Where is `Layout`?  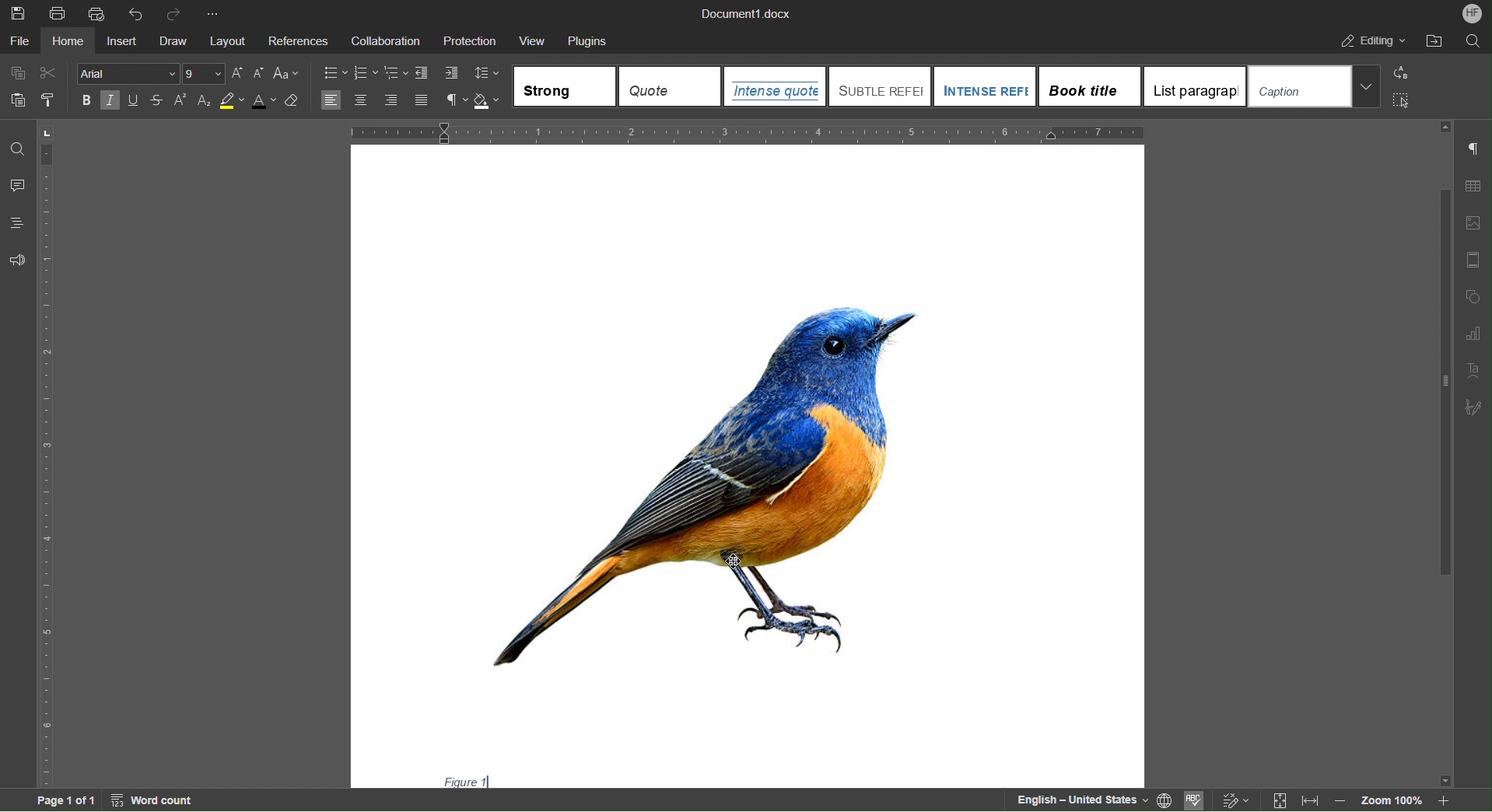 Layout is located at coordinates (228, 43).